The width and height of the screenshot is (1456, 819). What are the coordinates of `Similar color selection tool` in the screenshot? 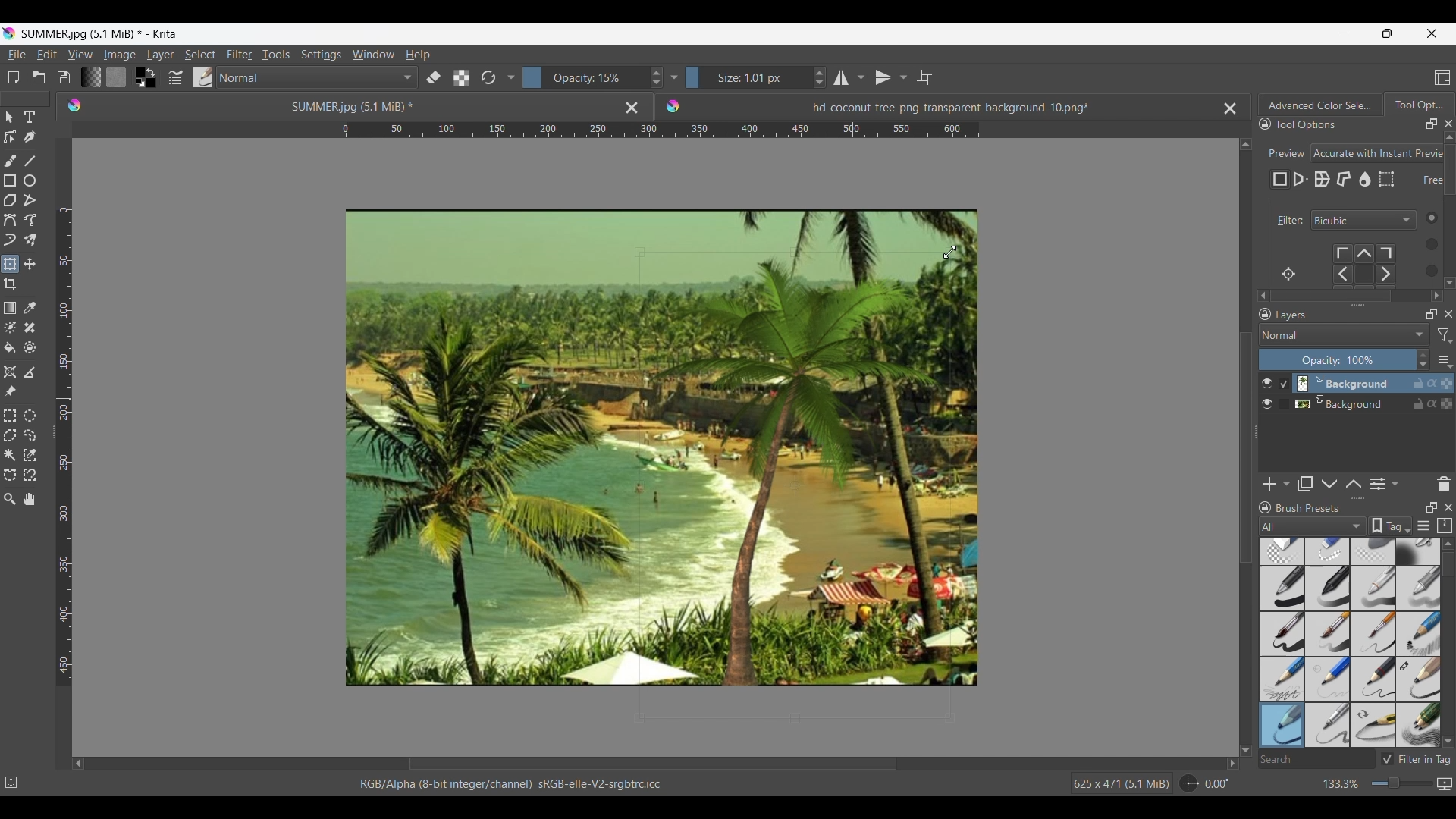 It's located at (30, 454).